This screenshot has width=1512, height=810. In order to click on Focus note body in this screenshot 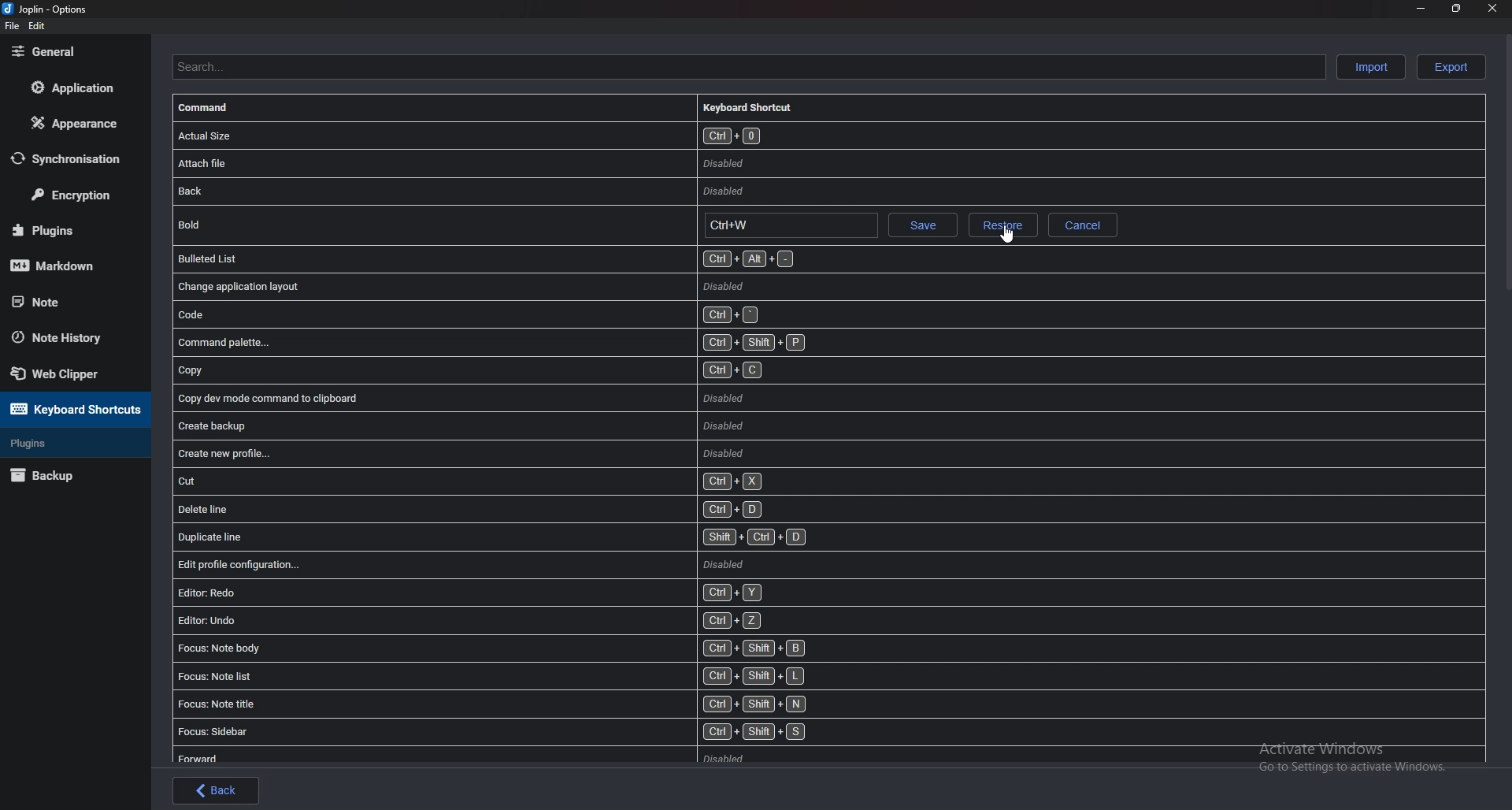, I will do `click(497, 646)`.